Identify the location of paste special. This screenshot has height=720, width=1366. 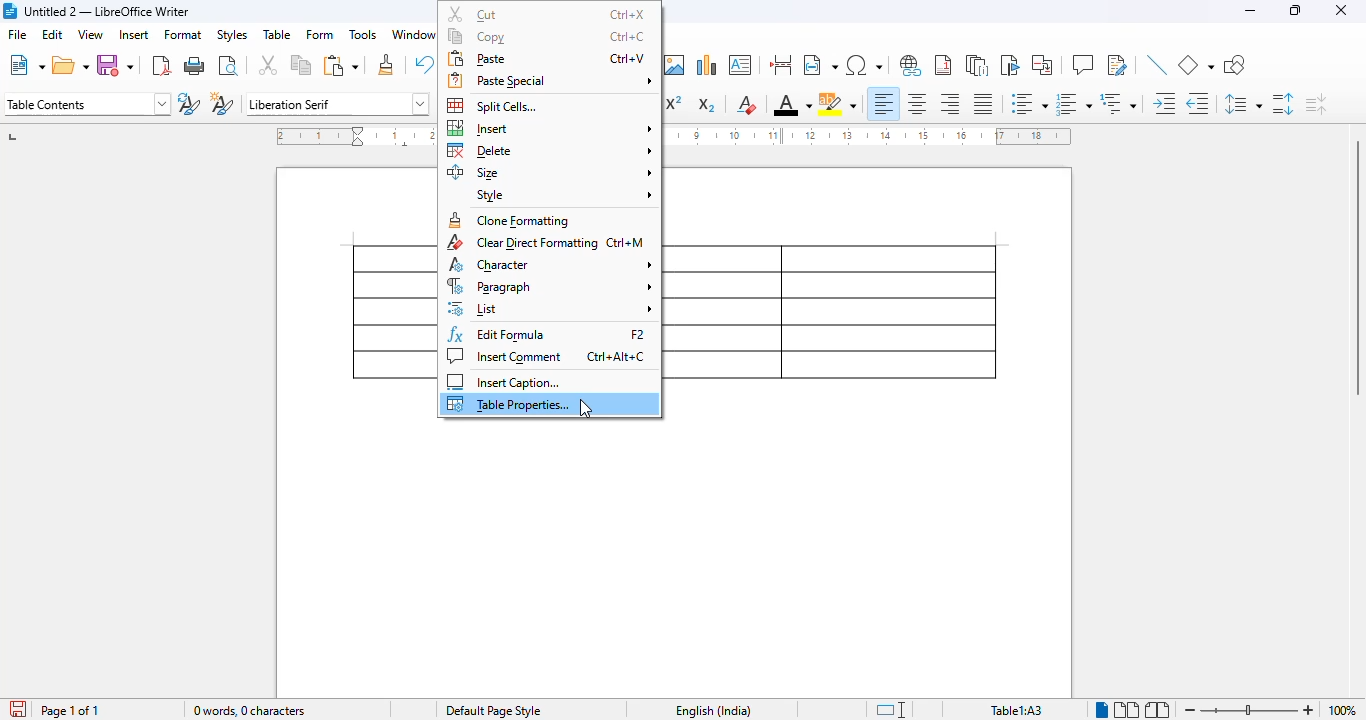
(550, 80).